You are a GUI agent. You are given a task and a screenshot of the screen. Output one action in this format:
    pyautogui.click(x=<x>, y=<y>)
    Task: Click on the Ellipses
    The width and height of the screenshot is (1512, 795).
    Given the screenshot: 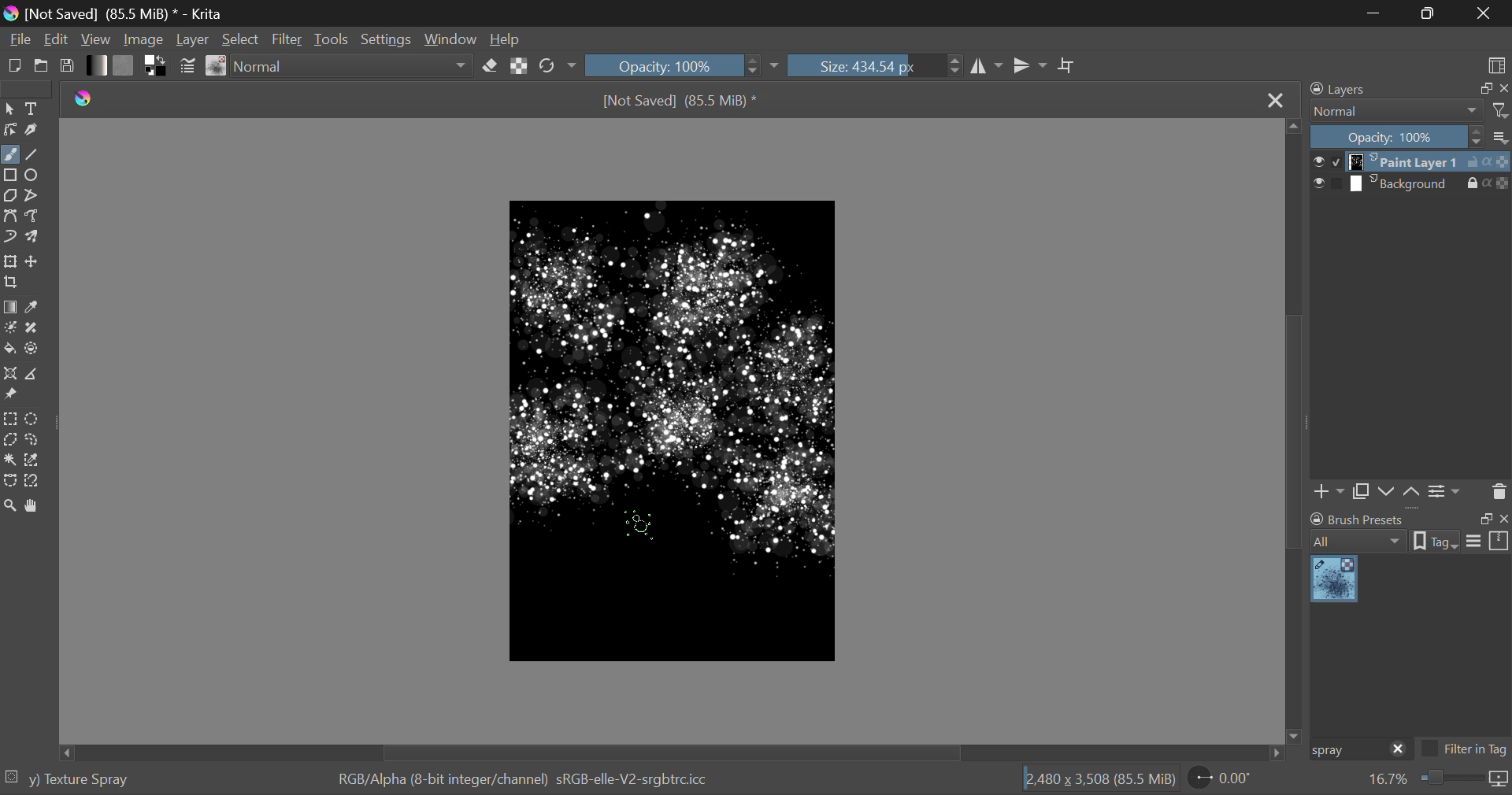 What is the action you would take?
    pyautogui.click(x=34, y=176)
    